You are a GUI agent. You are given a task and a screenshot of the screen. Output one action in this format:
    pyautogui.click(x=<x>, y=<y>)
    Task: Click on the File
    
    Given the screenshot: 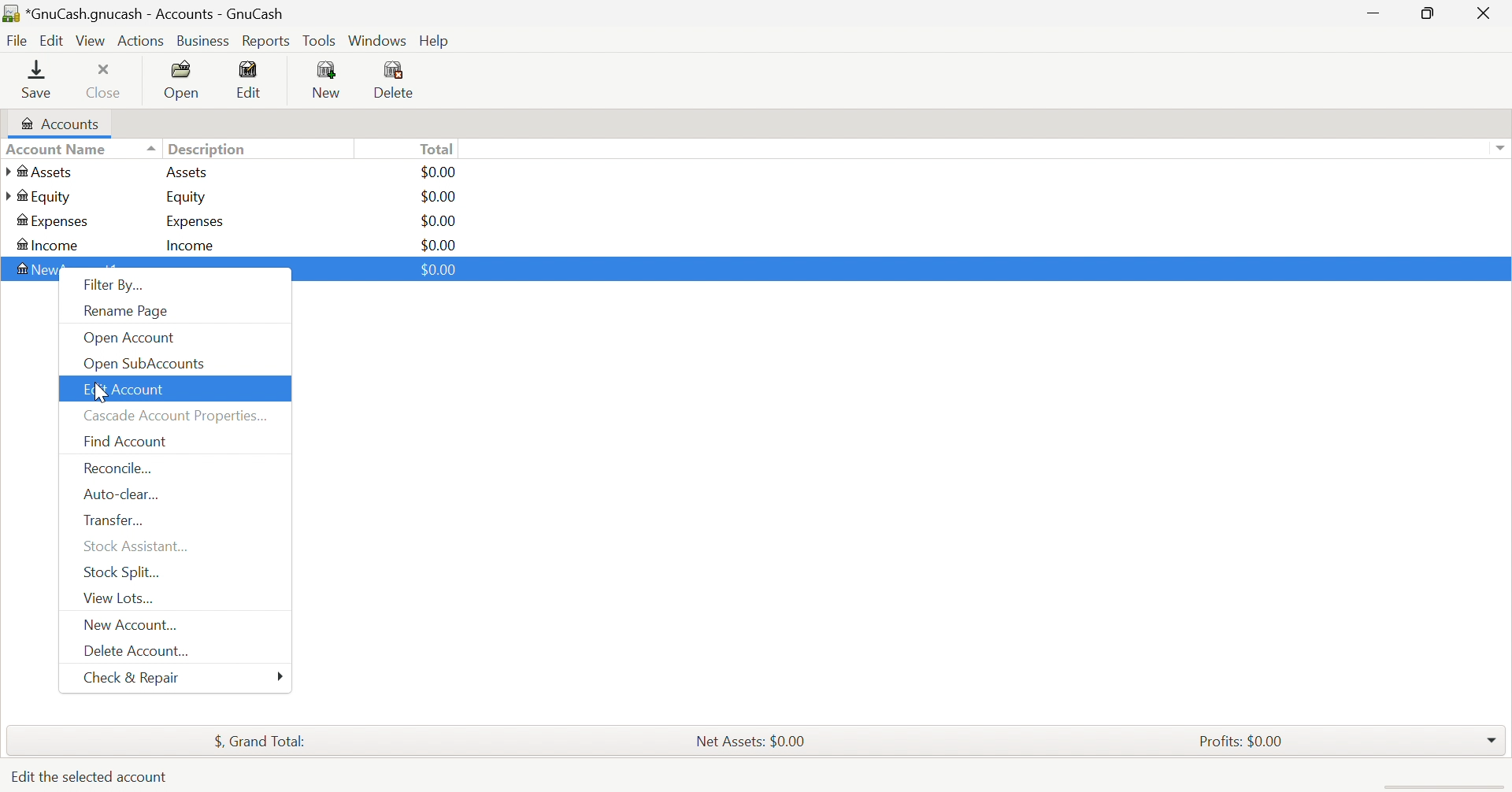 What is the action you would take?
    pyautogui.click(x=17, y=39)
    